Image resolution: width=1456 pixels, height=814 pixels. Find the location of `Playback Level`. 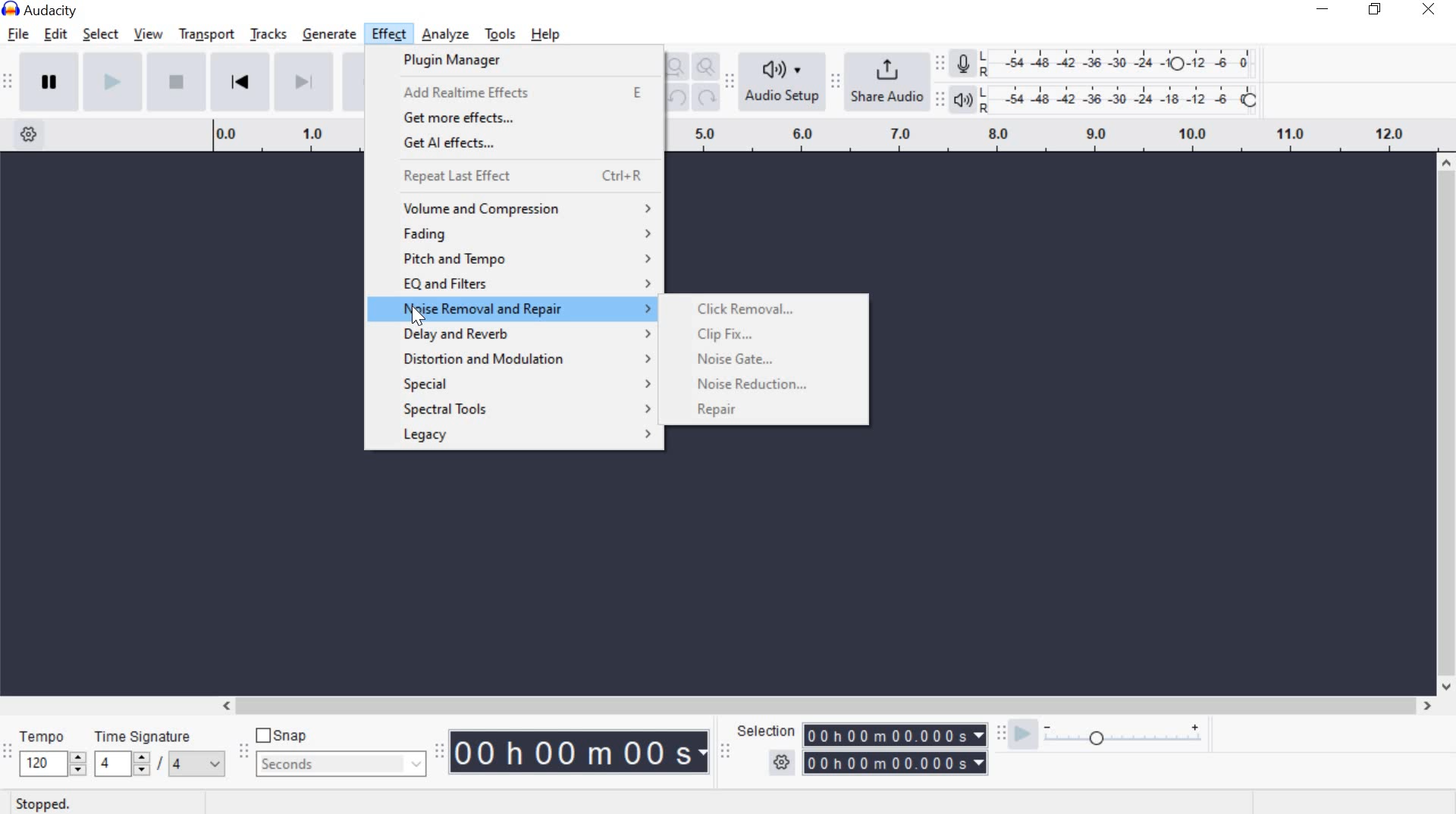

Playback Level is located at coordinates (1123, 97).